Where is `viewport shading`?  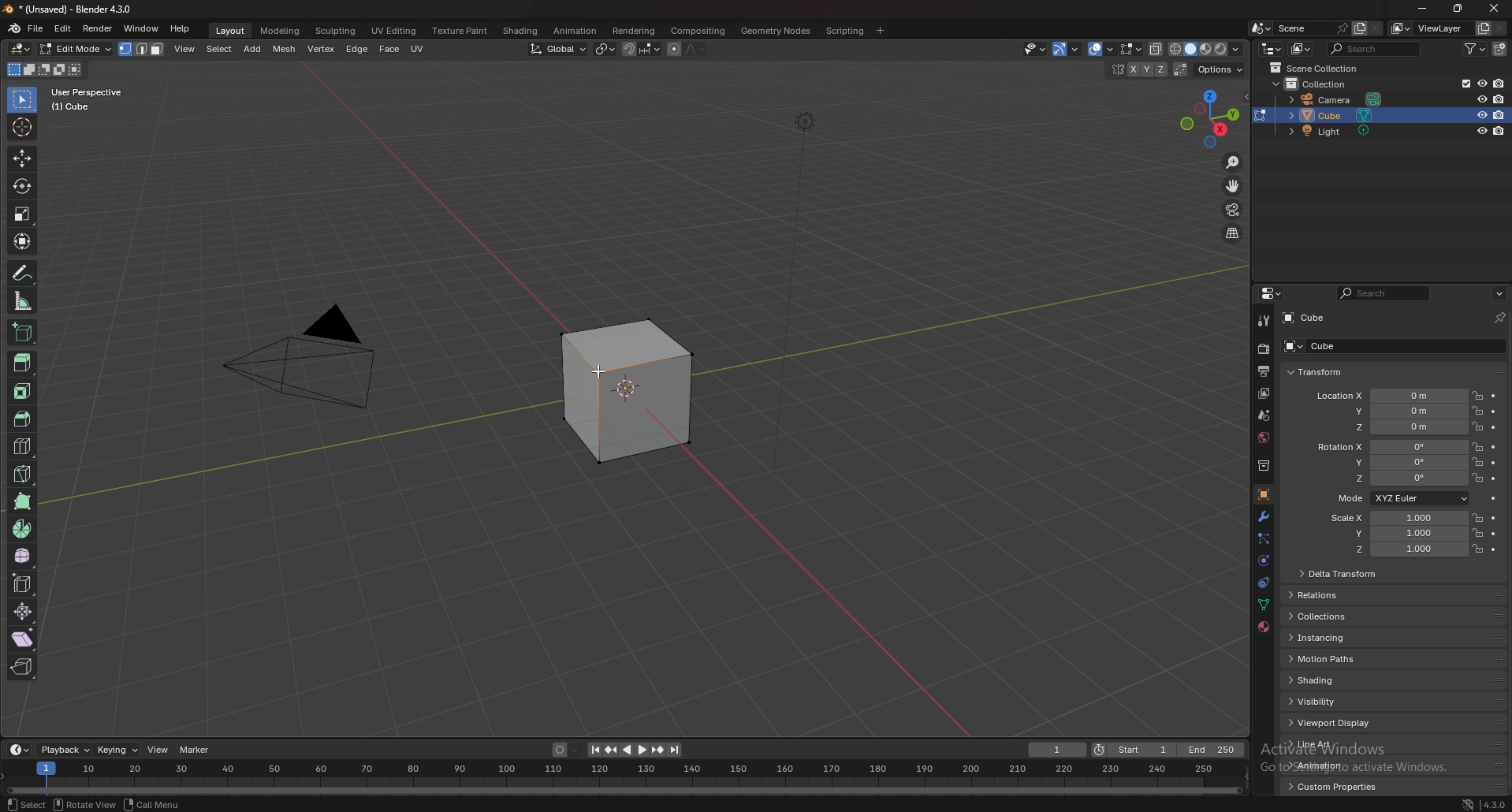
viewport shading is located at coordinates (1190, 49).